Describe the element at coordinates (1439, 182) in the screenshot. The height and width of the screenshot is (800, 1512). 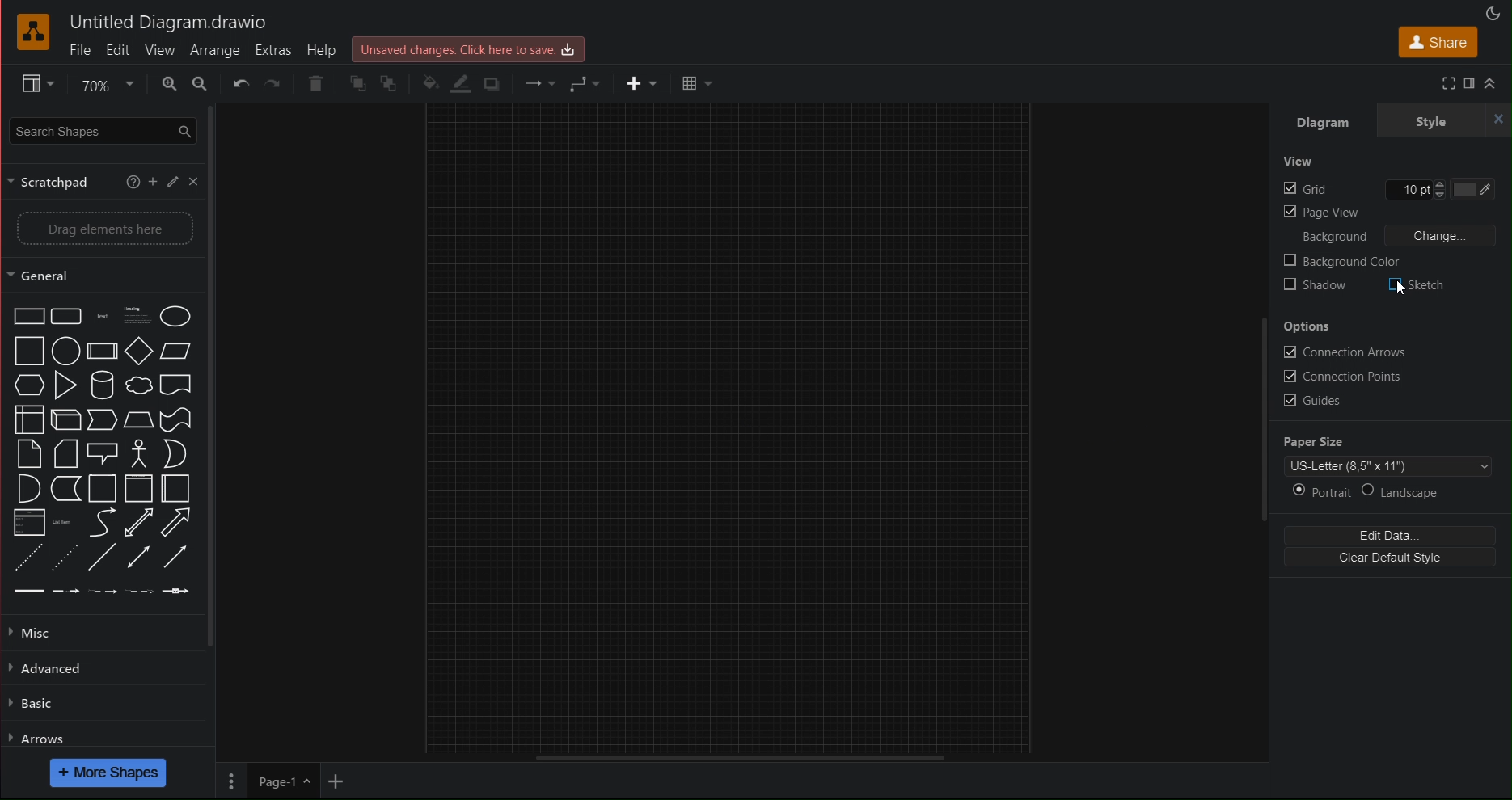
I see `increase grid pt` at that location.